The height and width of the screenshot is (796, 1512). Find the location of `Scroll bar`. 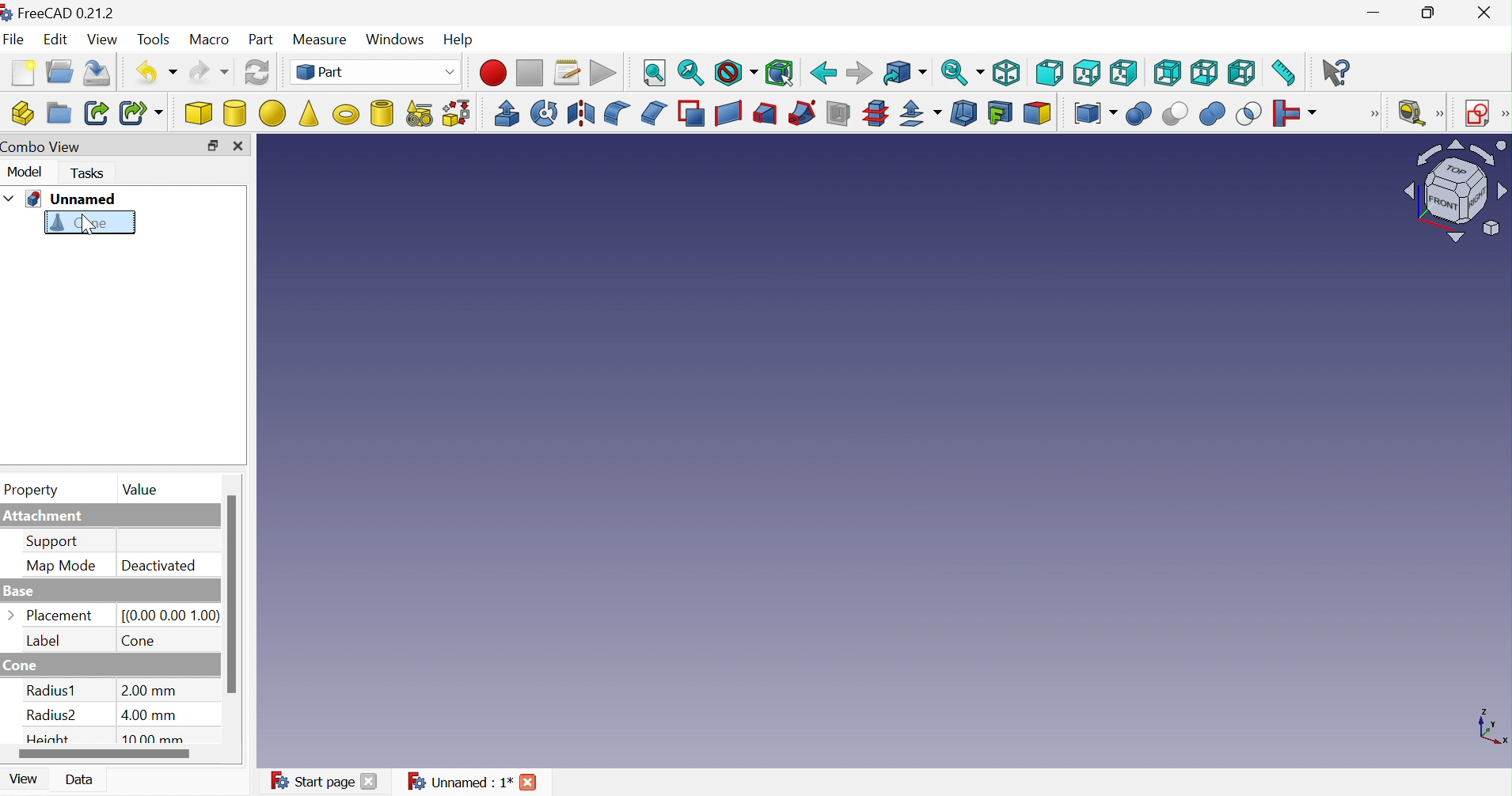

Scroll bar is located at coordinates (232, 594).